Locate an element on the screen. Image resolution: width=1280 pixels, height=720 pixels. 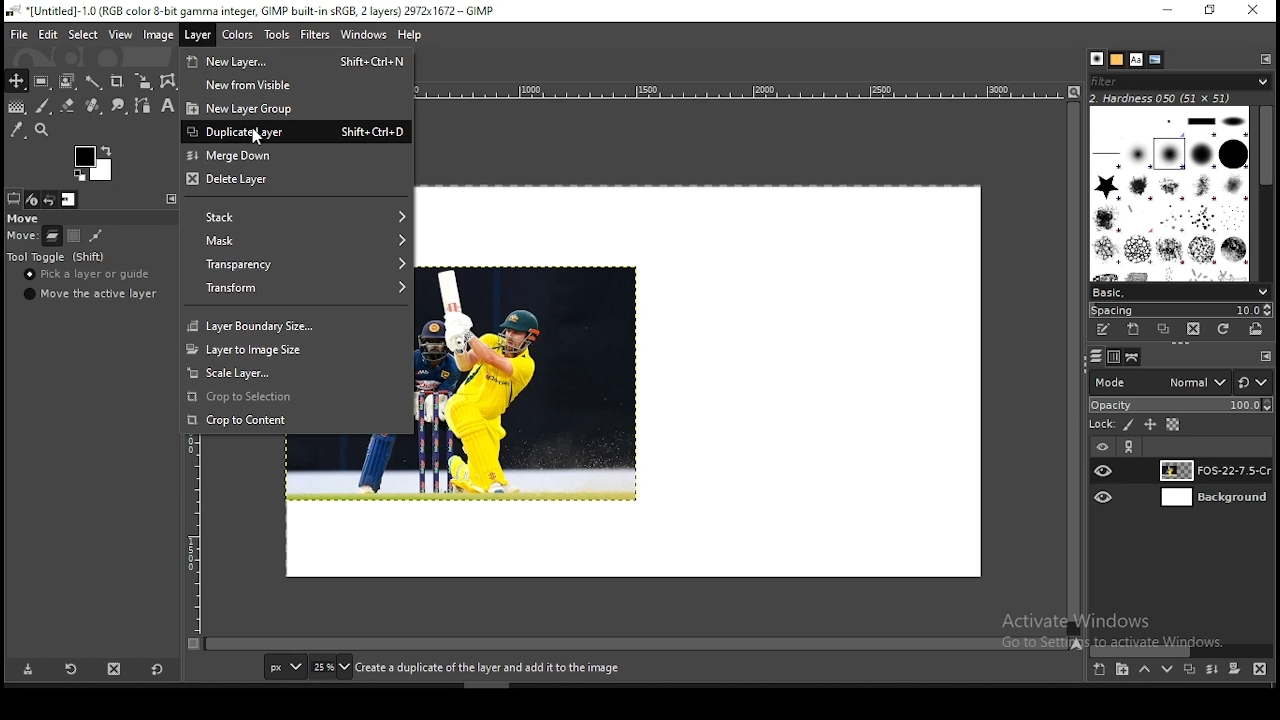
layer  is located at coordinates (1212, 499).